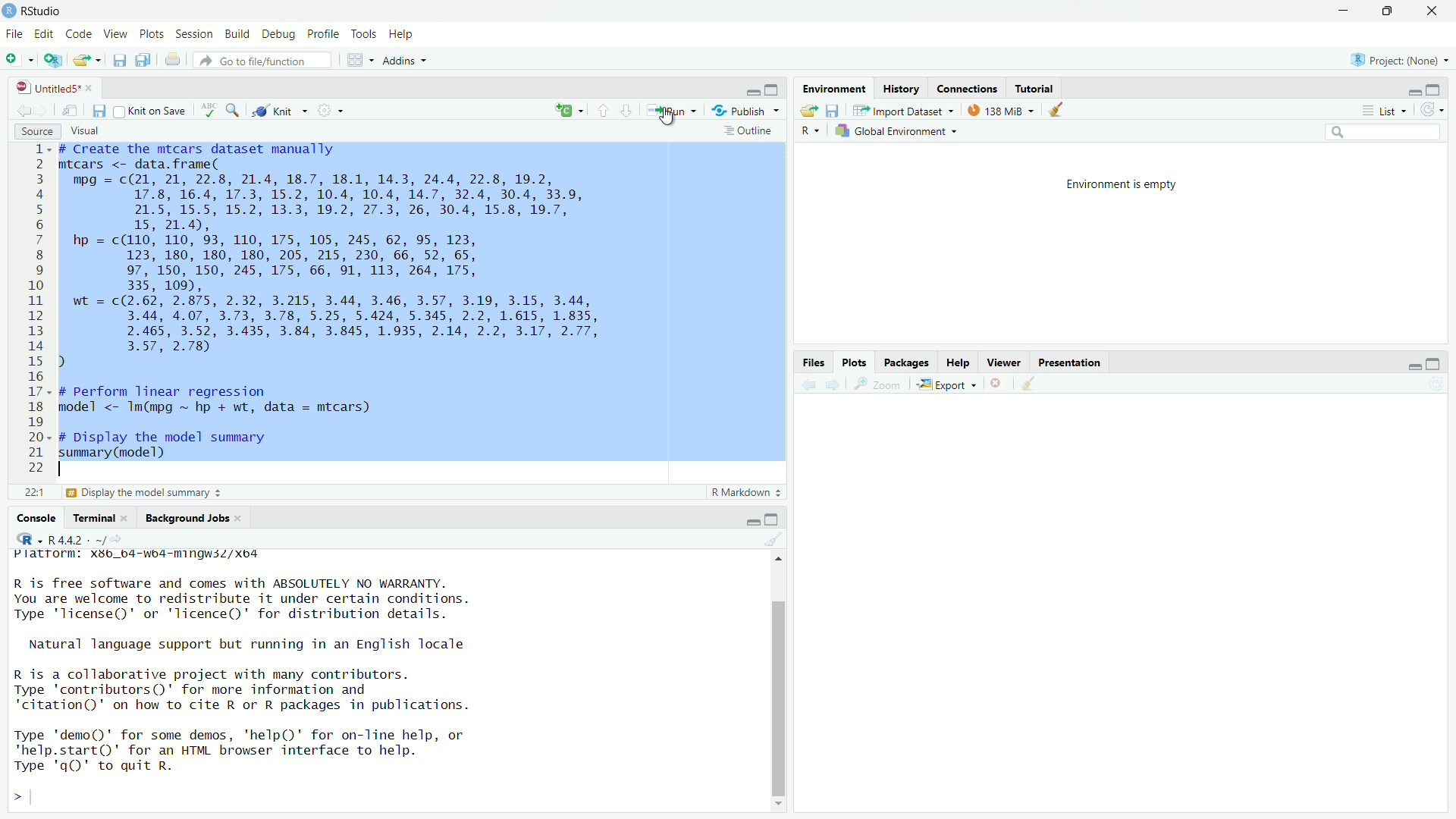 The width and height of the screenshot is (1456, 819). What do you see at coordinates (96, 519) in the screenshot?
I see `Terminal` at bounding box center [96, 519].